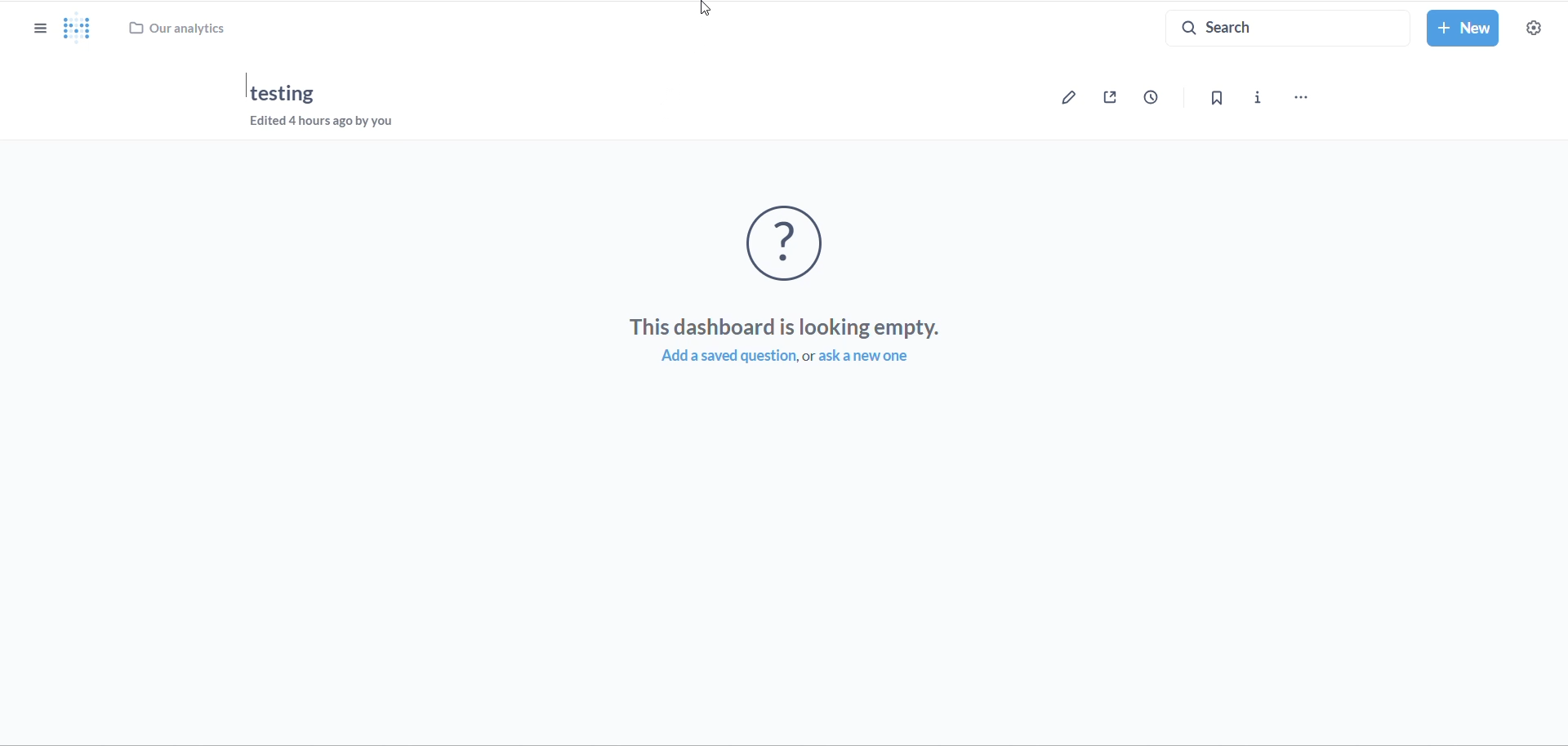 This screenshot has width=1568, height=746. Describe the element at coordinates (798, 357) in the screenshot. I see `add or save question` at that location.